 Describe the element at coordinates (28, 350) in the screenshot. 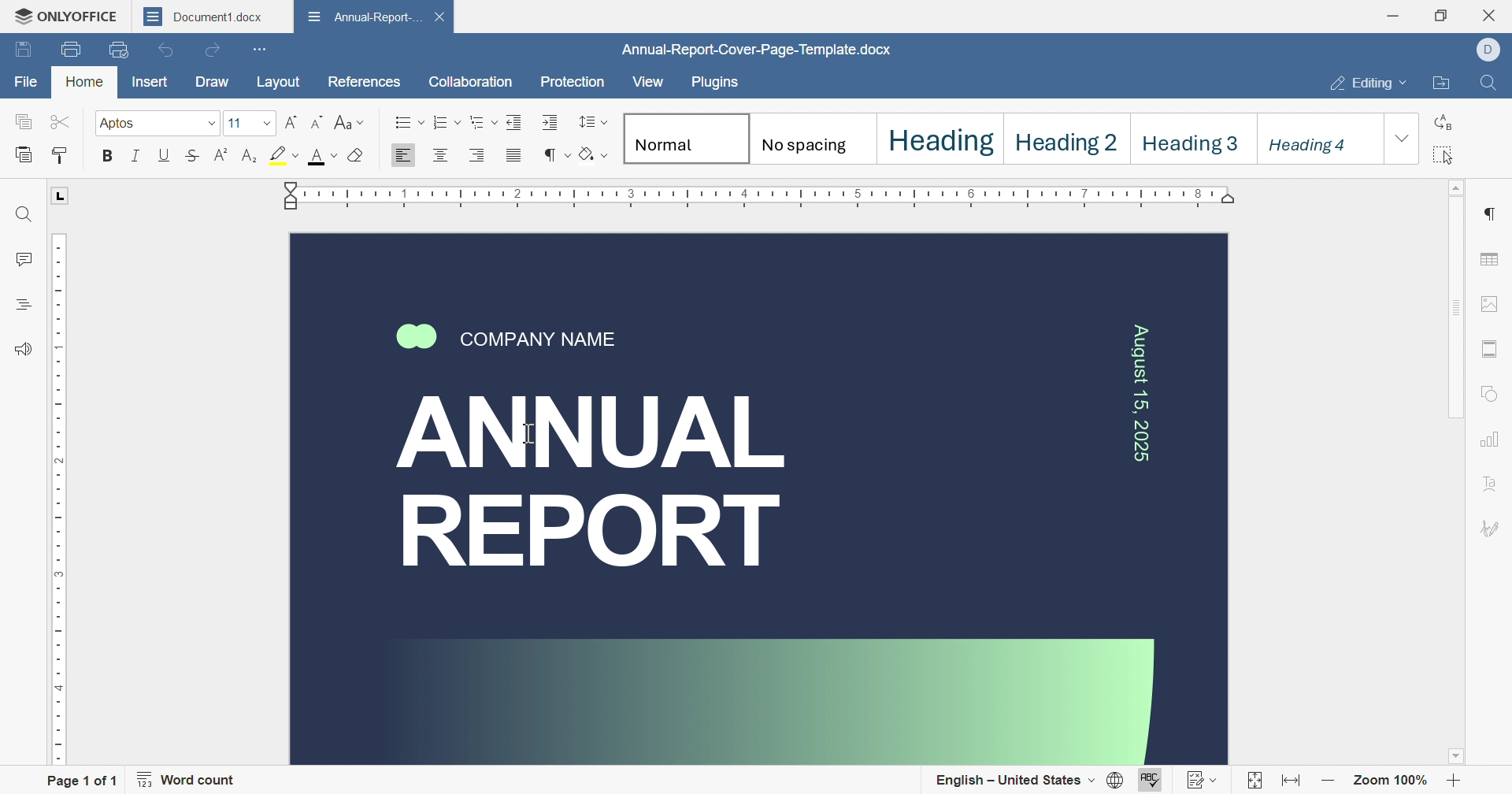

I see `feedback and support` at that location.